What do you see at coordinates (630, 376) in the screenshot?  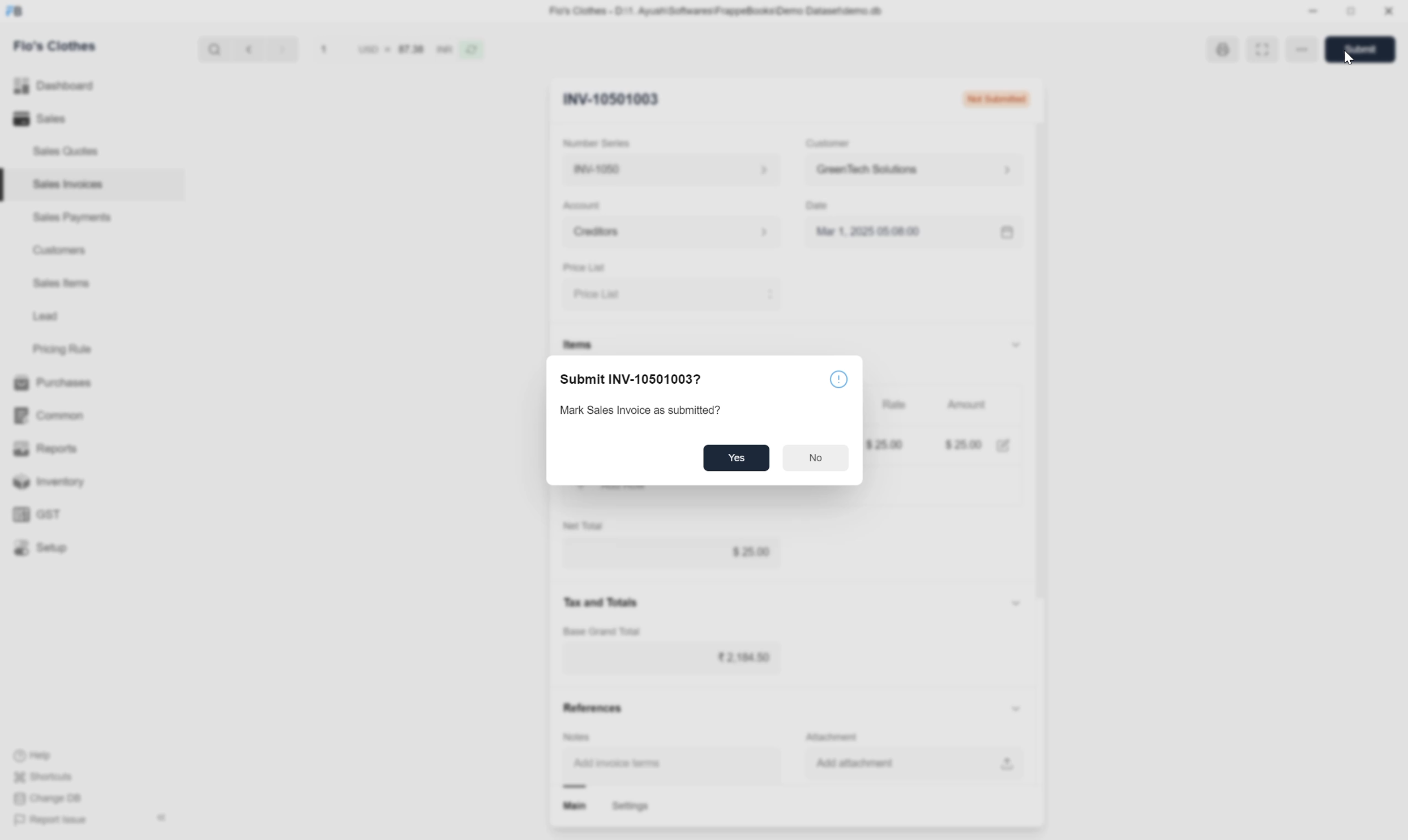 I see `Submit INV-10501003?` at bounding box center [630, 376].